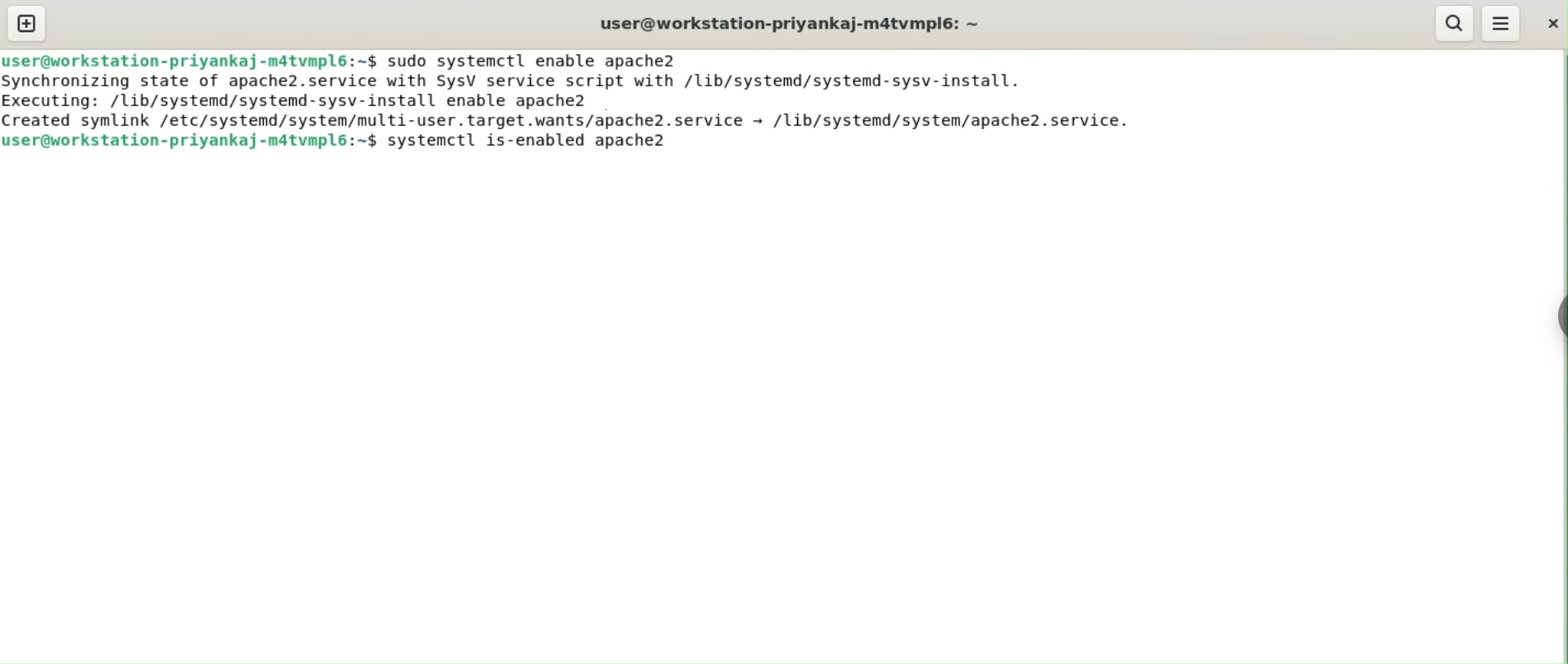 The image size is (1568, 664). What do you see at coordinates (540, 142) in the screenshot?
I see `systemctl is-enabled apache2` at bounding box center [540, 142].